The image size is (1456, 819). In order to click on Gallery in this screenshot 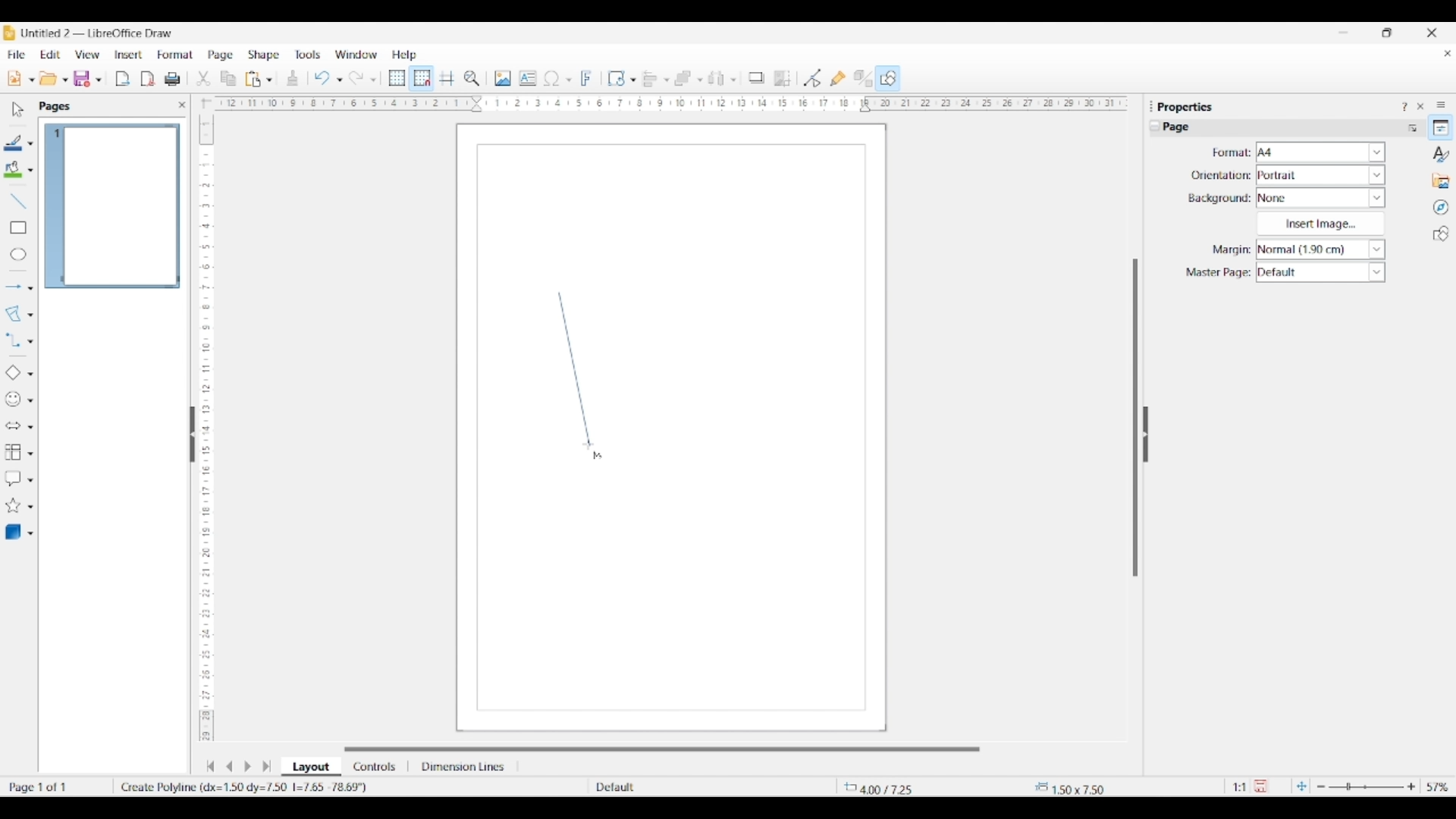, I will do `click(1441, 180)`.